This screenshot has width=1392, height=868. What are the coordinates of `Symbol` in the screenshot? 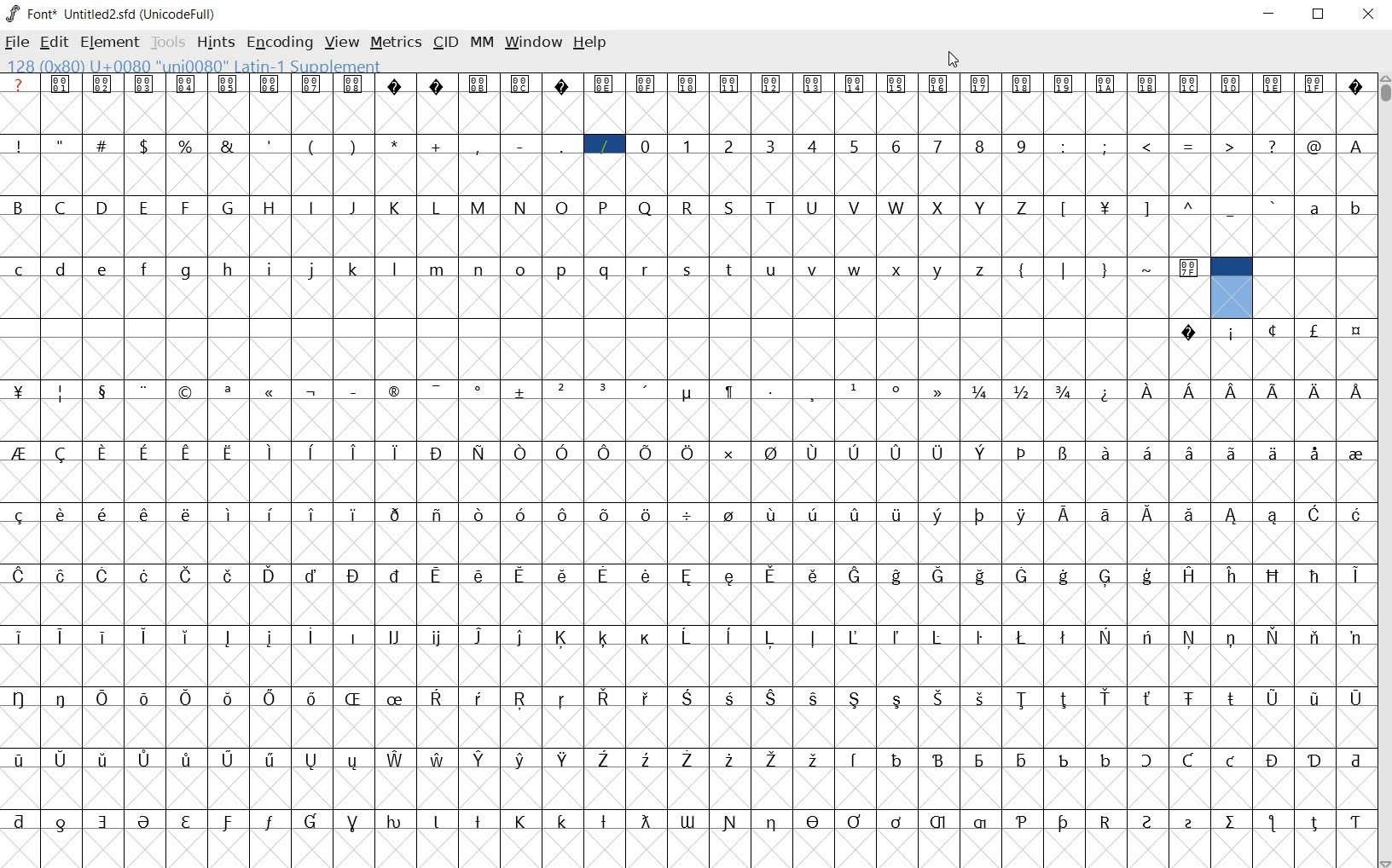 It's located at (479, 512).